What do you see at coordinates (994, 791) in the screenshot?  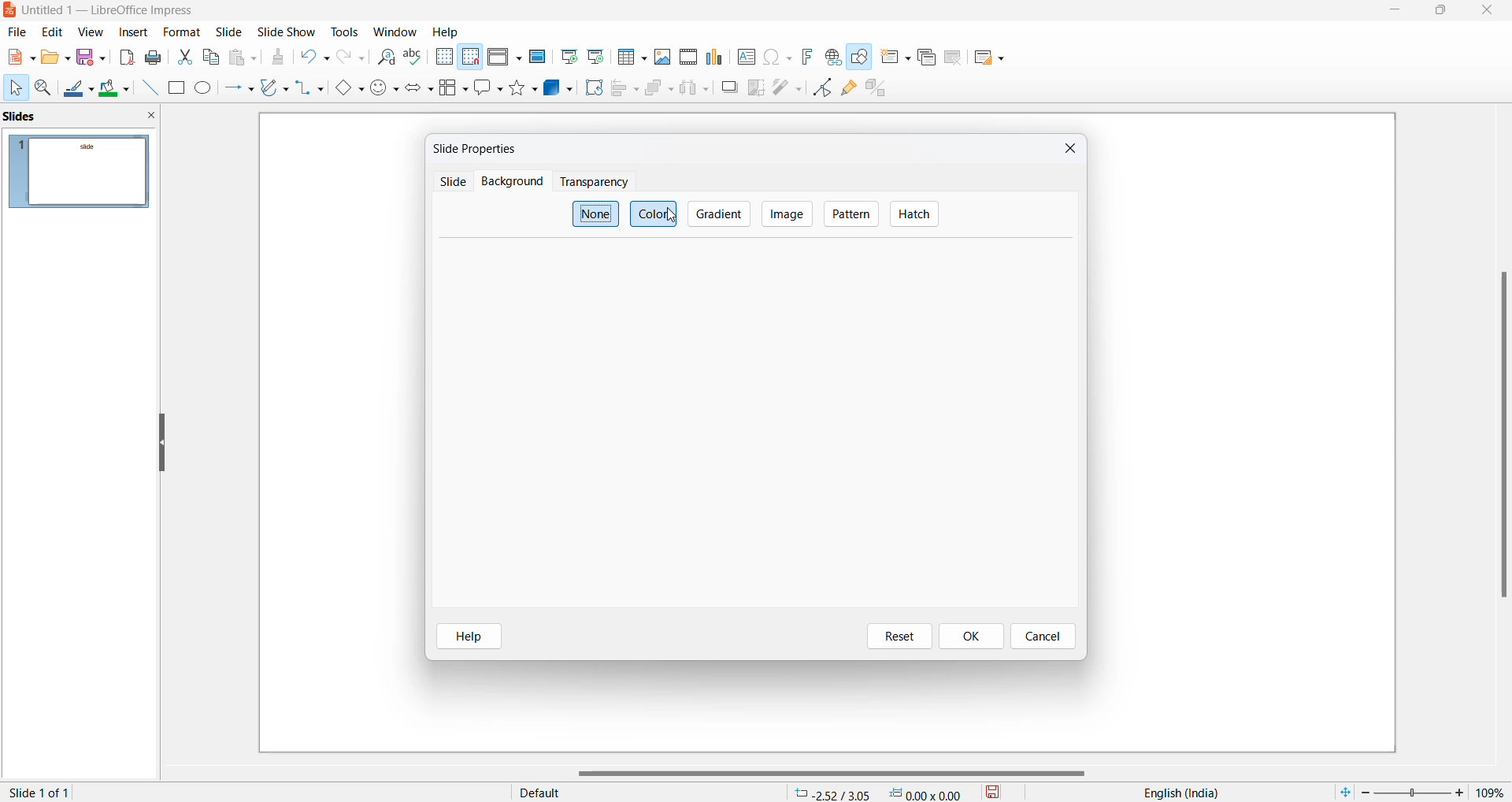 I see `save` at bounding box center [994, 791].